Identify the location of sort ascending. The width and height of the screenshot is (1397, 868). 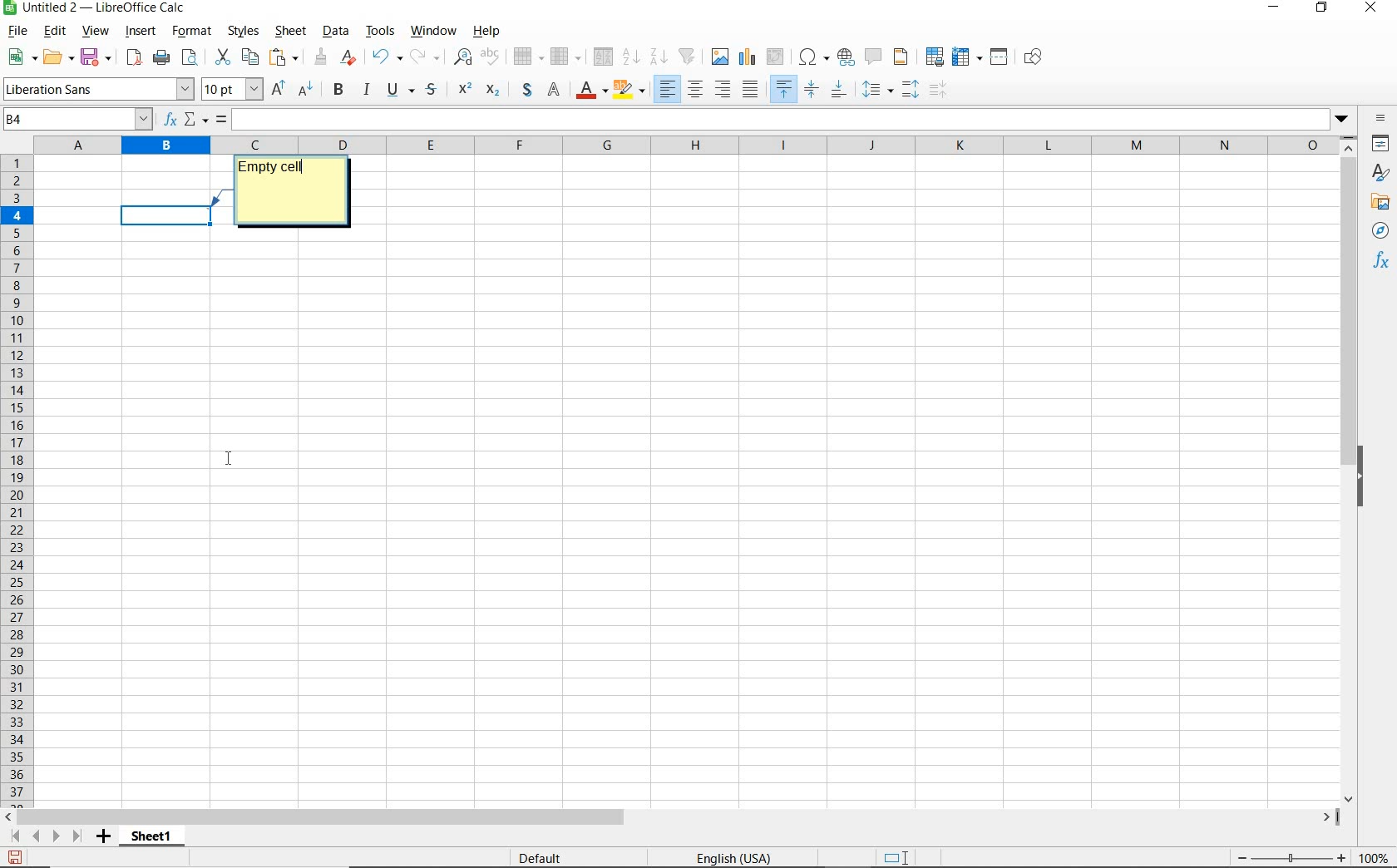
(630, 58).